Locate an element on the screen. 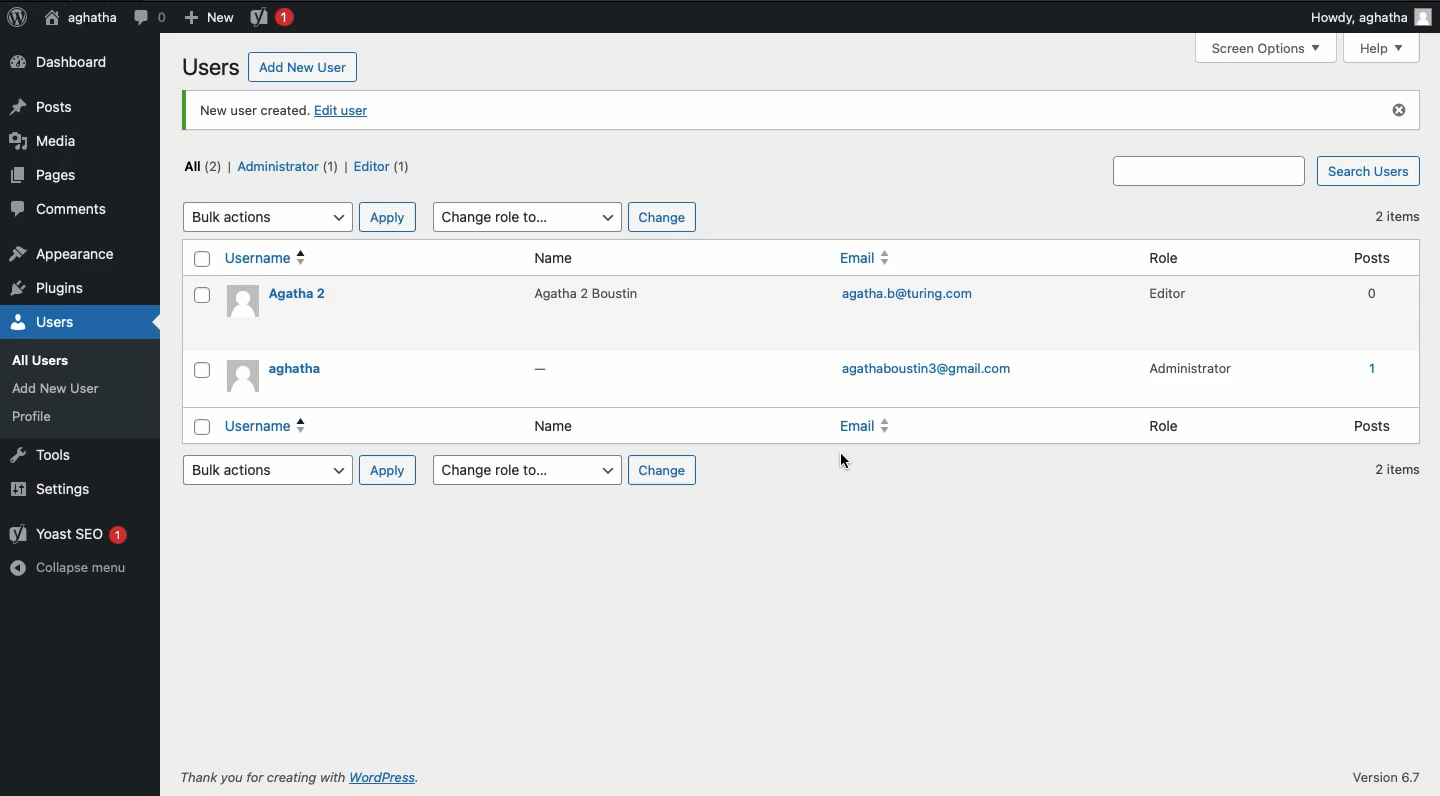  Help is located at coordinates (1381, 48).